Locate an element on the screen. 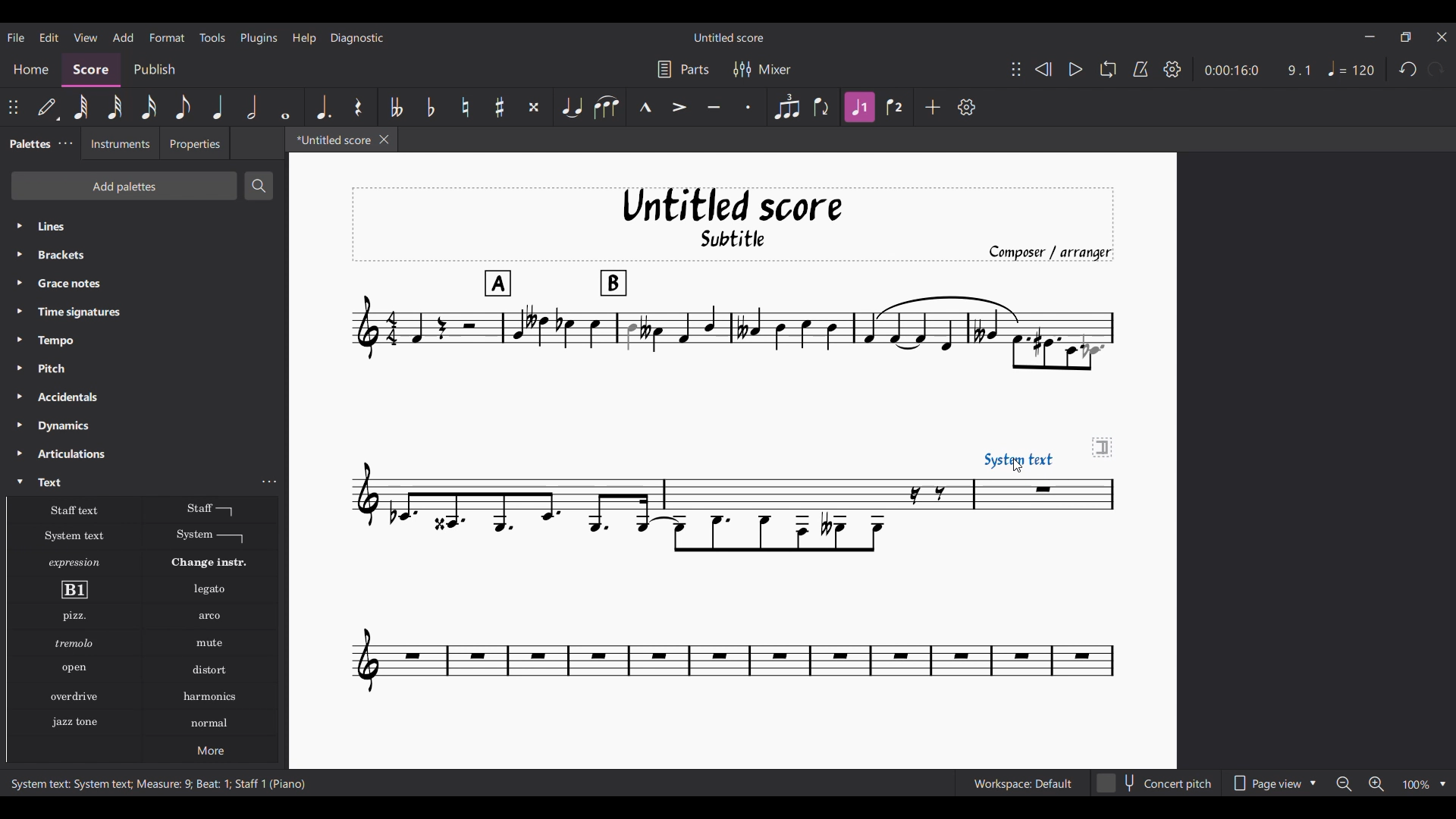  Edit menu is located at coordinates (49, 38).